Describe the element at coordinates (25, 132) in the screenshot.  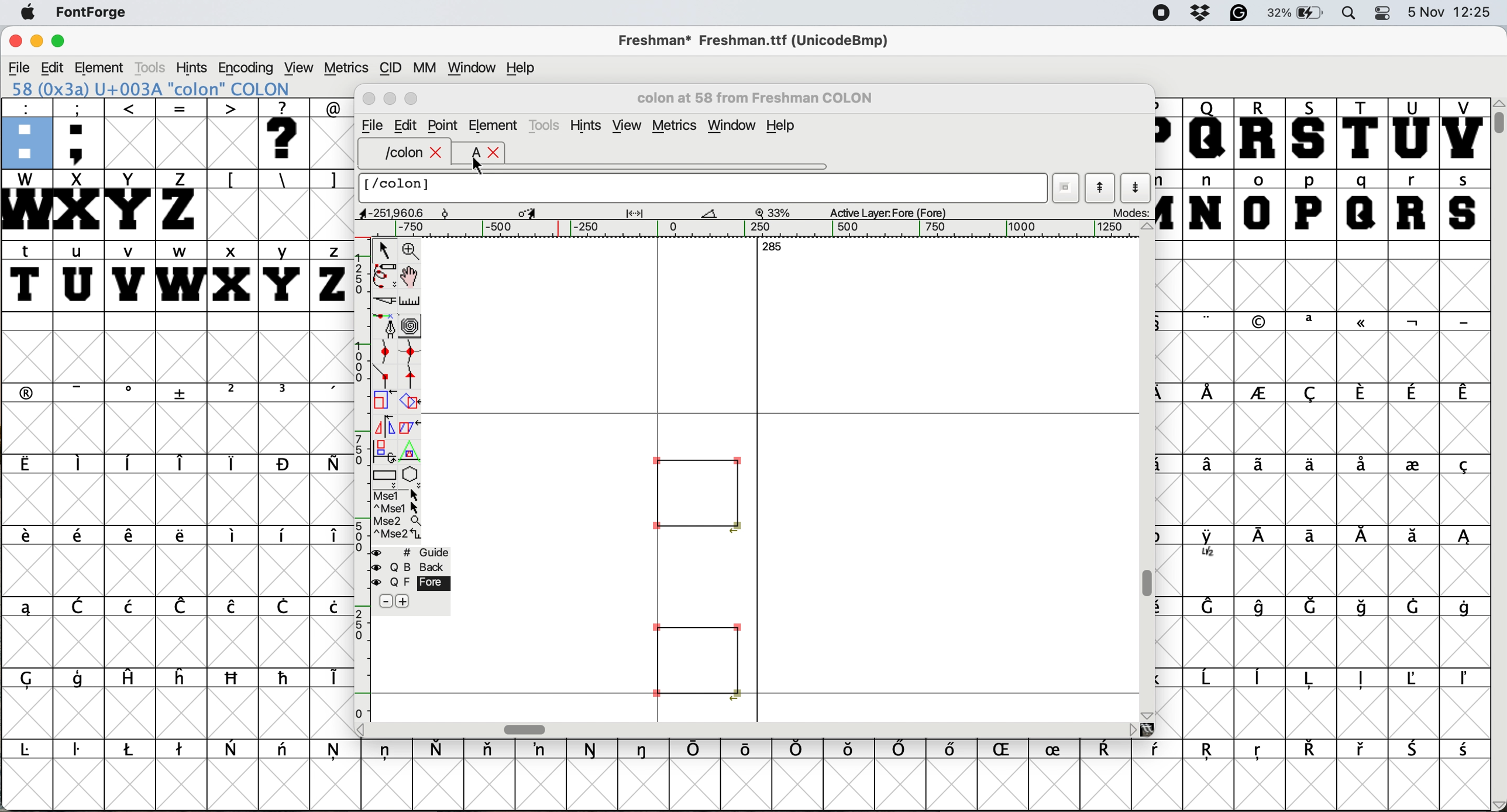
I see `:` at that location.